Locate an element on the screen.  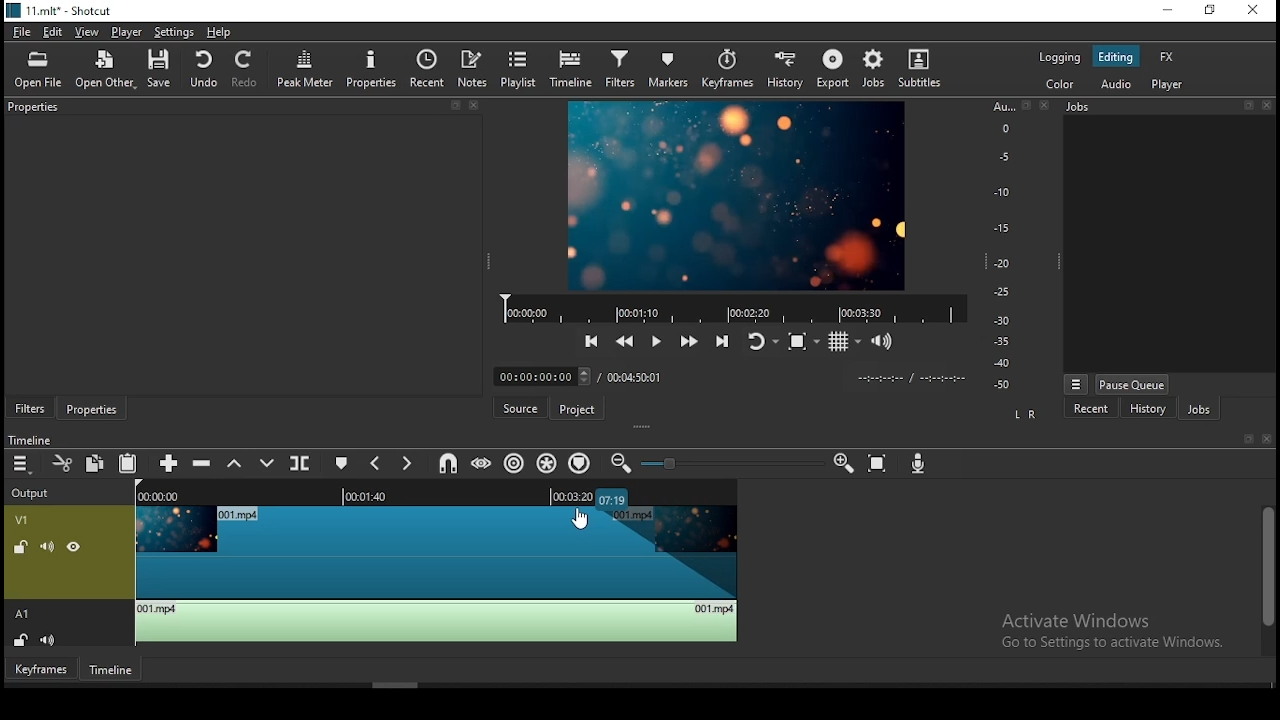
ripple markers is located at coordinates (579, 464).